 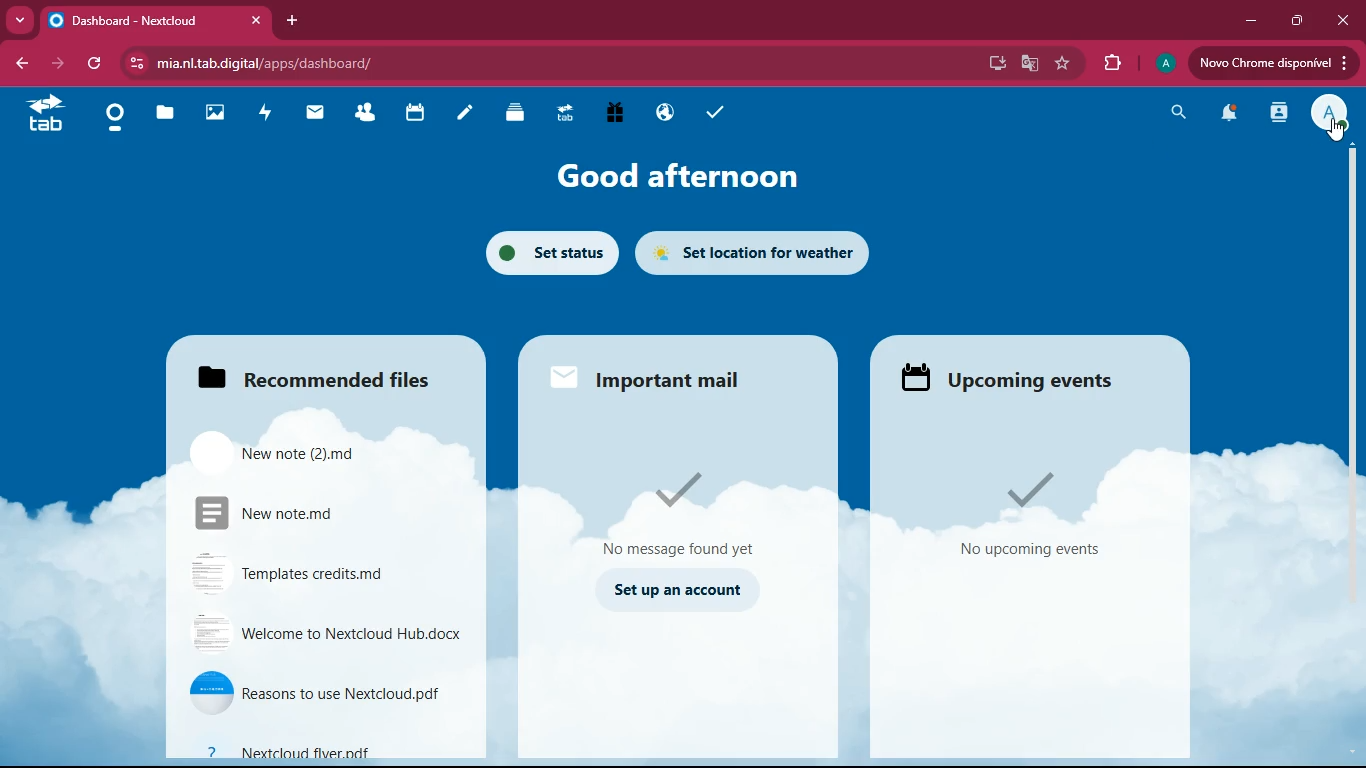 What do you see at coordinates (215, 115) in the screenshot?
I see `images` at bounding box center [215, 115].